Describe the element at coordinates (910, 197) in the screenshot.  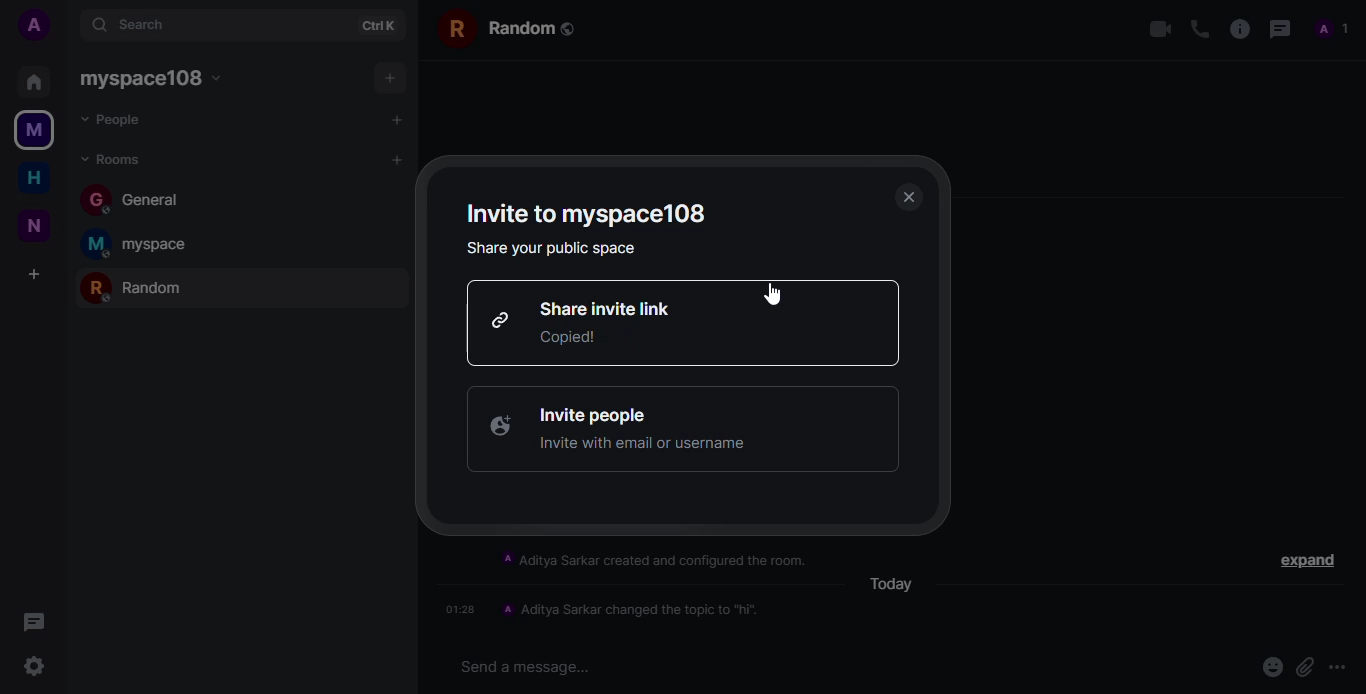
I see `close` at that location.